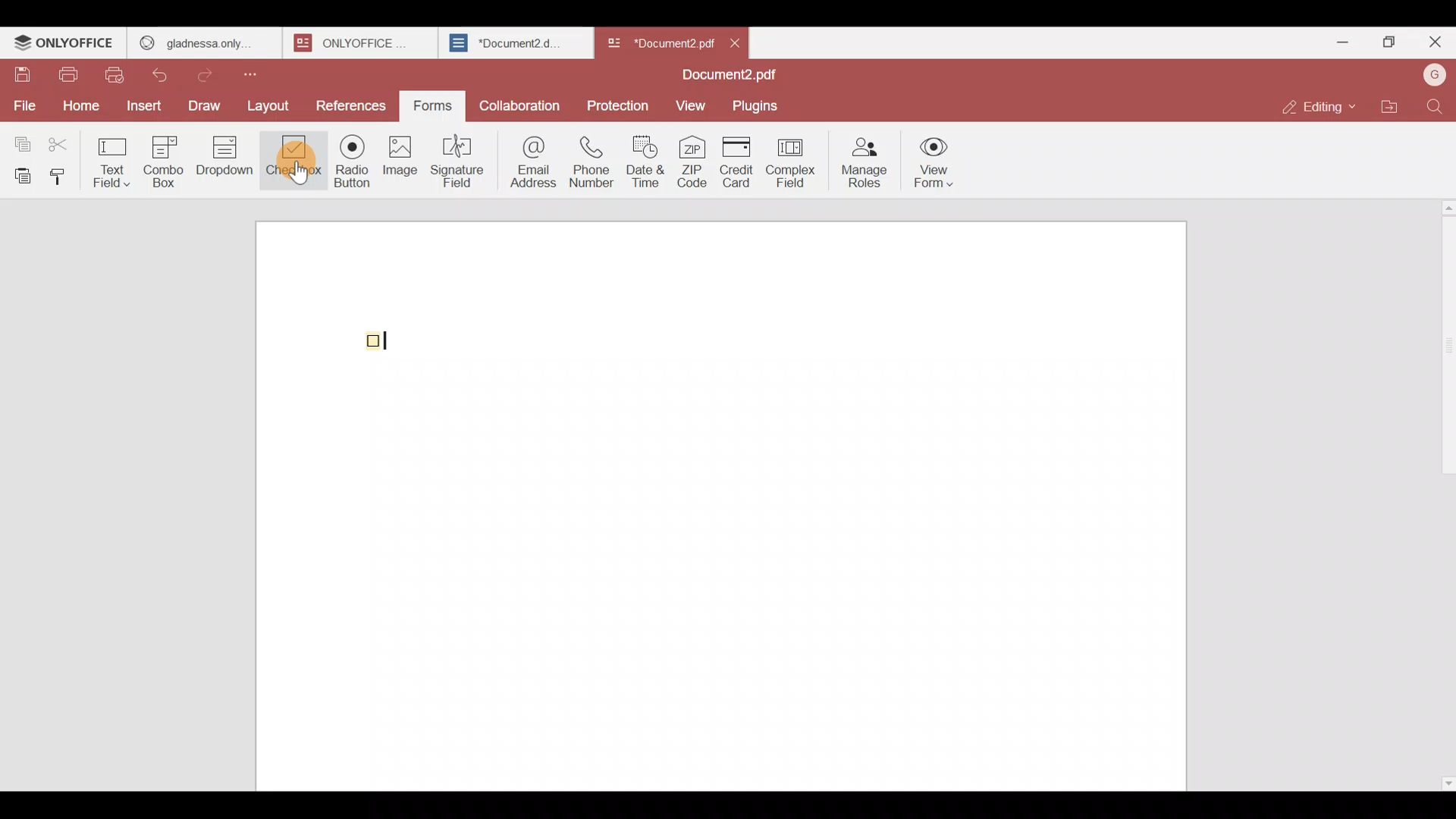 This screenshot has height=819, width=1456. I want to click on Checkbox, so click(292, 163).